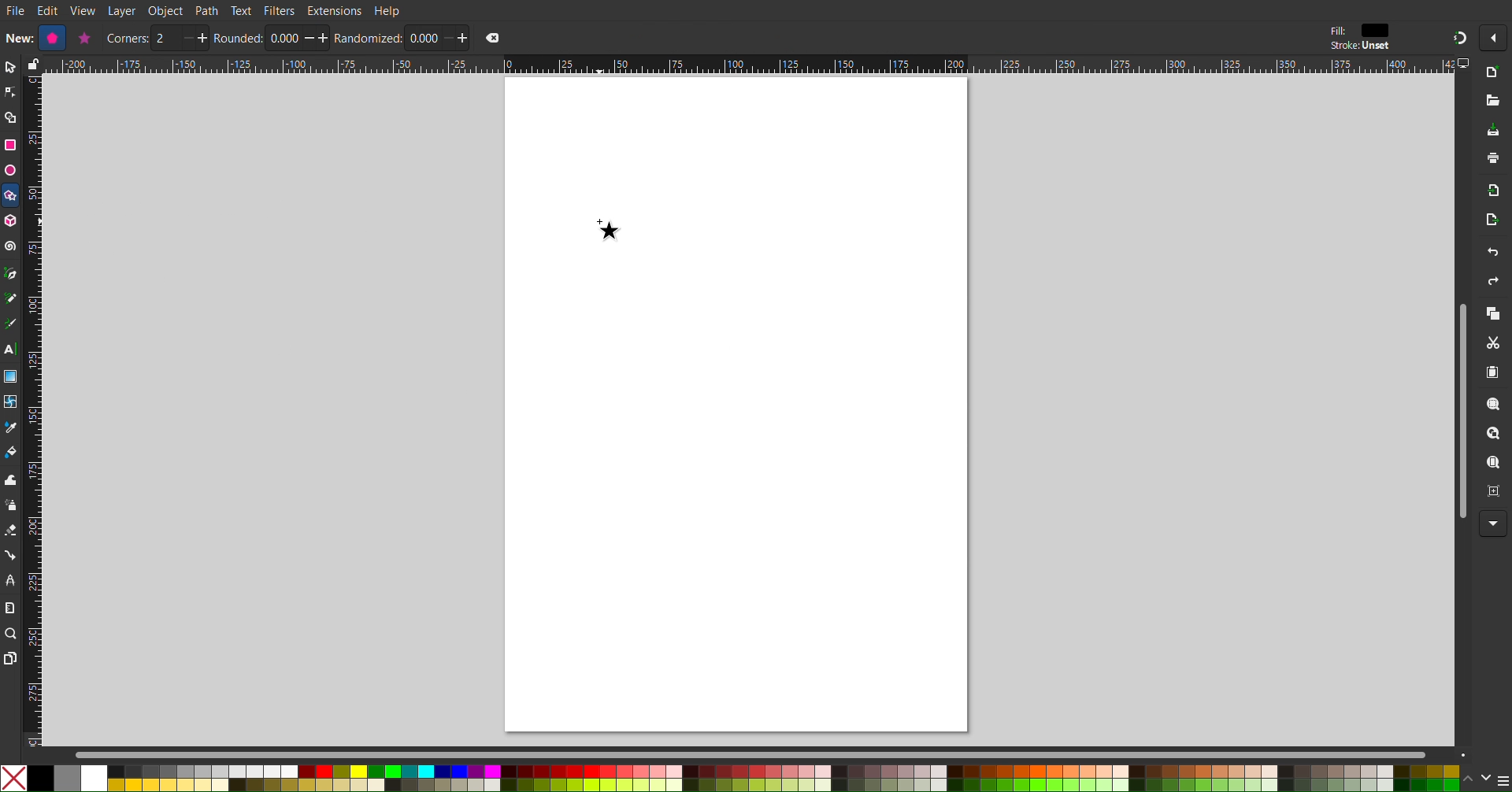  I want to click on Mesh Tool, so click(11, 403).